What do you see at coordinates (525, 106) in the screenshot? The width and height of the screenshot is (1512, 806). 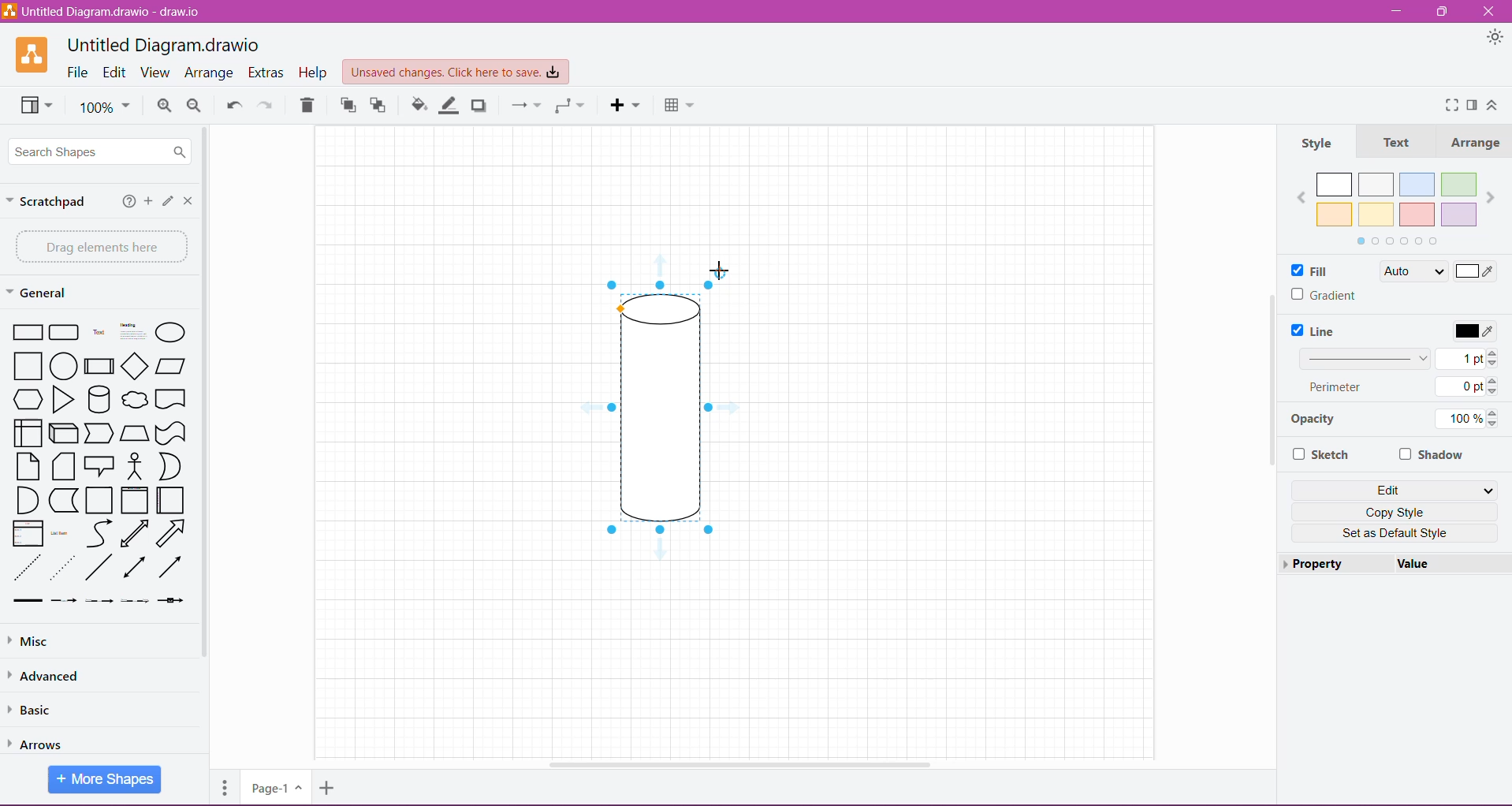 I see `Connection` at bounding box center [525, 106].